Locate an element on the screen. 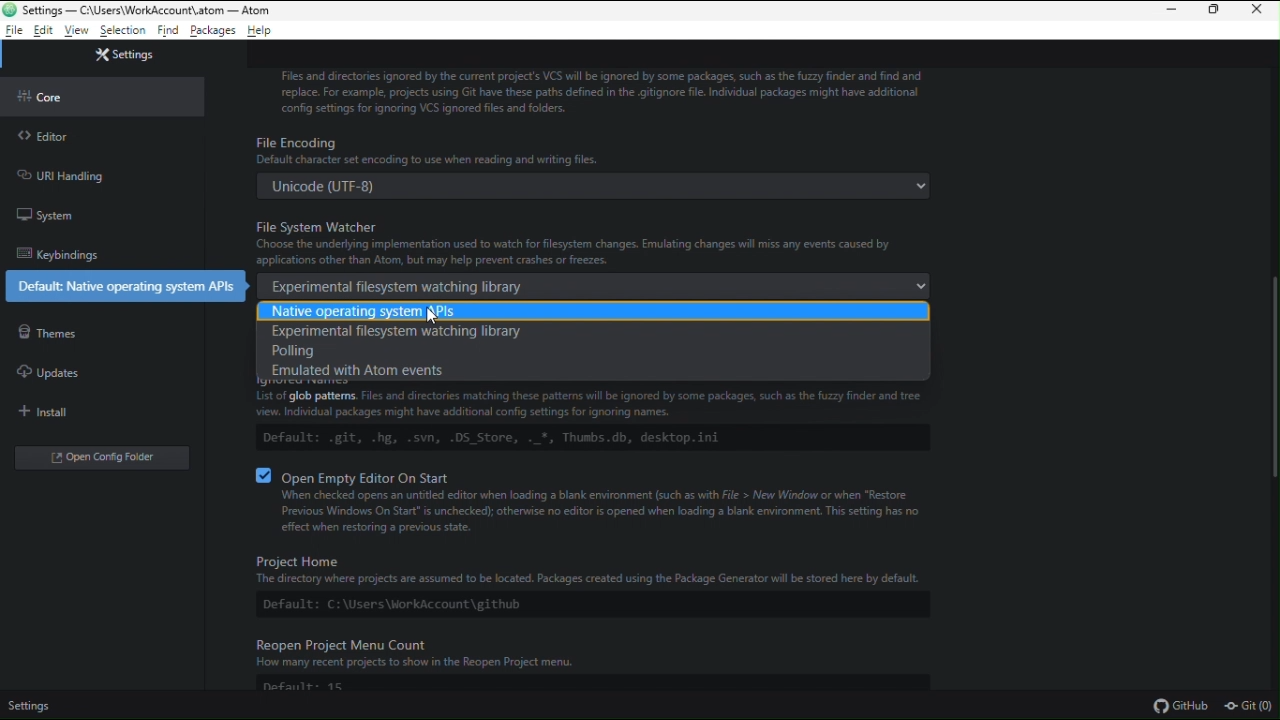 Image resolution: width=1280 pixels, height=720 pixels. Settings is located at coordinates (123, 53).